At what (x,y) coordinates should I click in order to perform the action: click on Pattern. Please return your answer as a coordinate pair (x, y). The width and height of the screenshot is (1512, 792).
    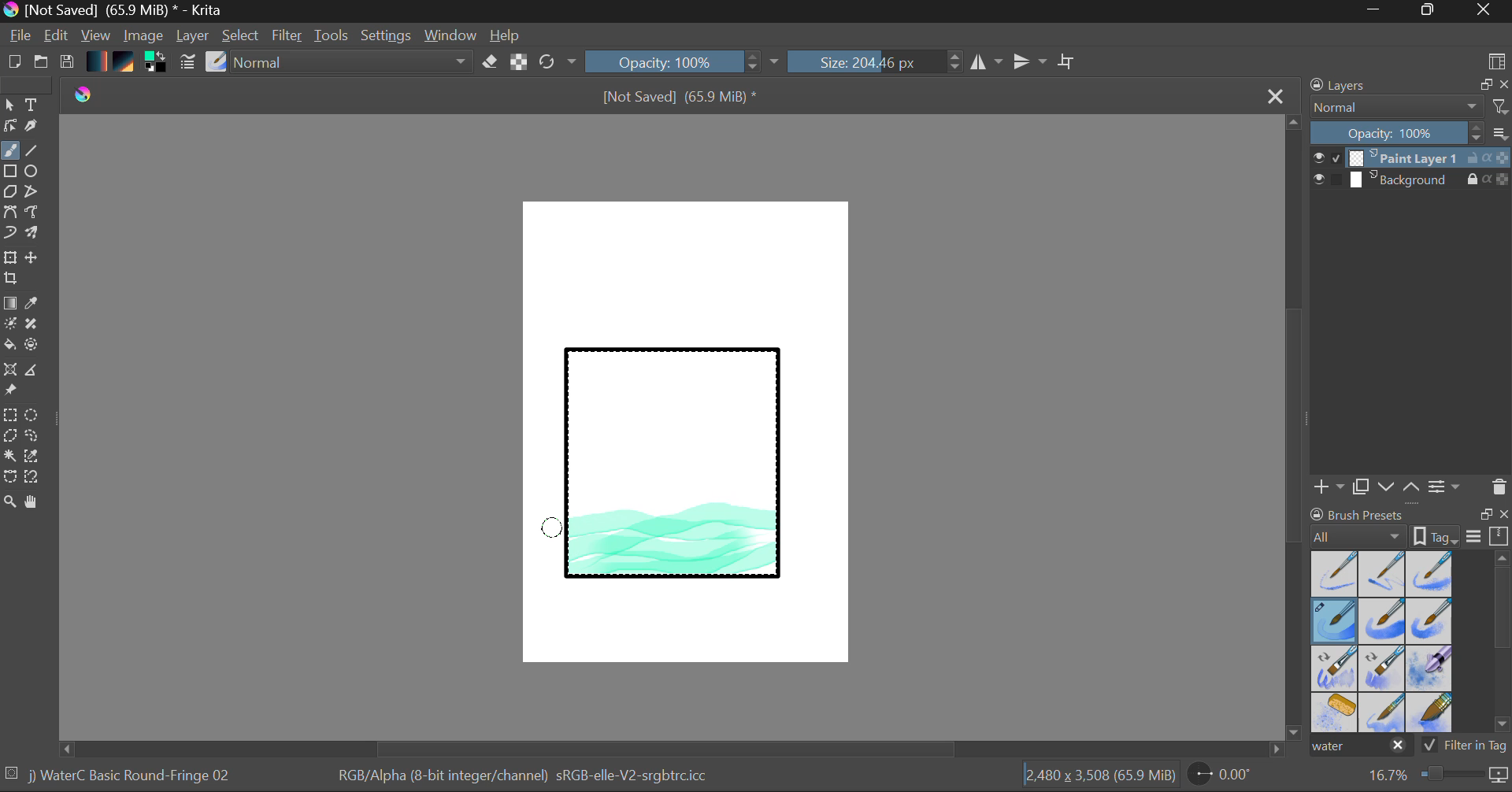
    Looking at the image, I should click on (126, 63).